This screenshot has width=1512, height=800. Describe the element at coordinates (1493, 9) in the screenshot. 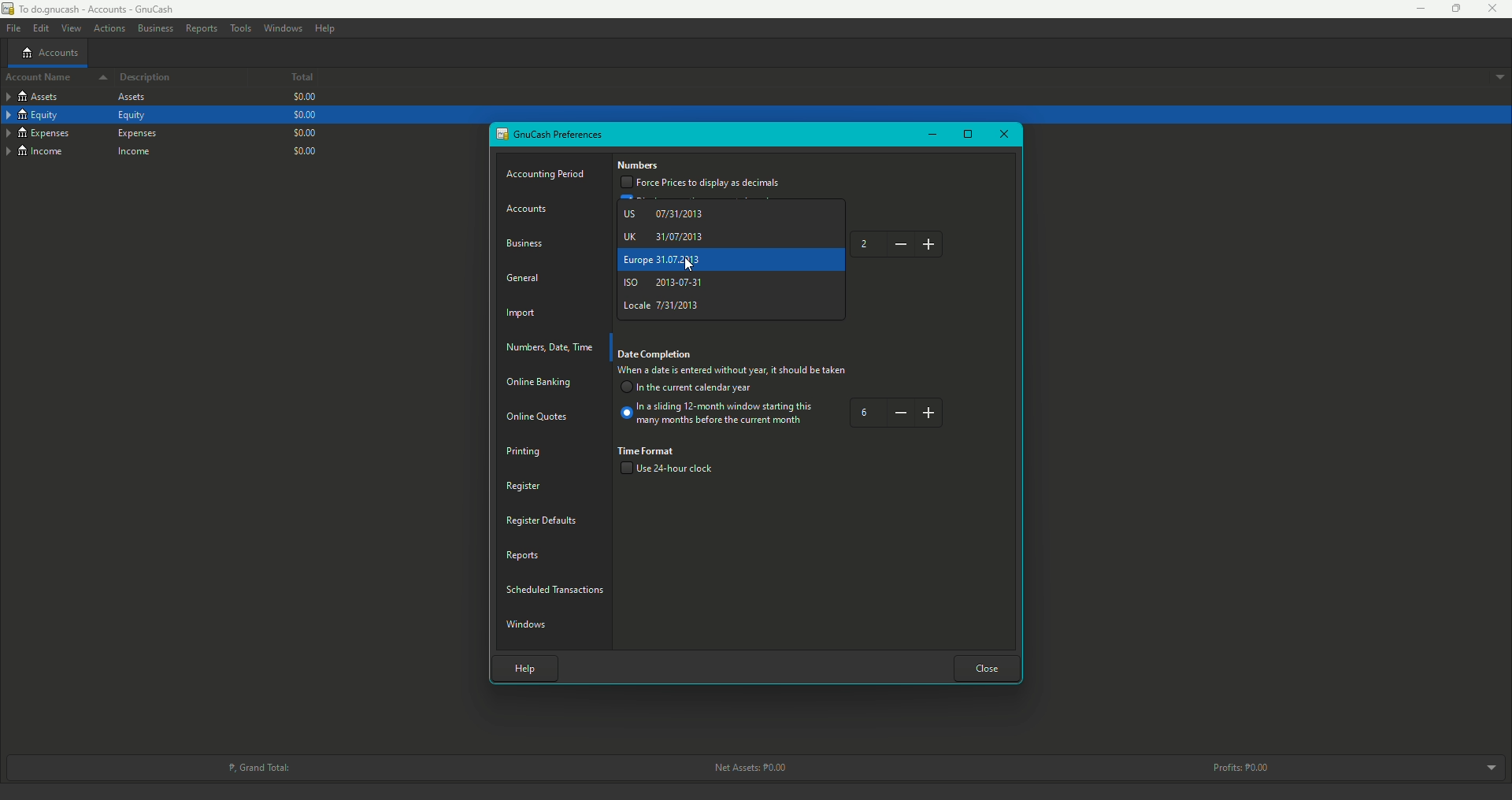

I see `Close` at that location.